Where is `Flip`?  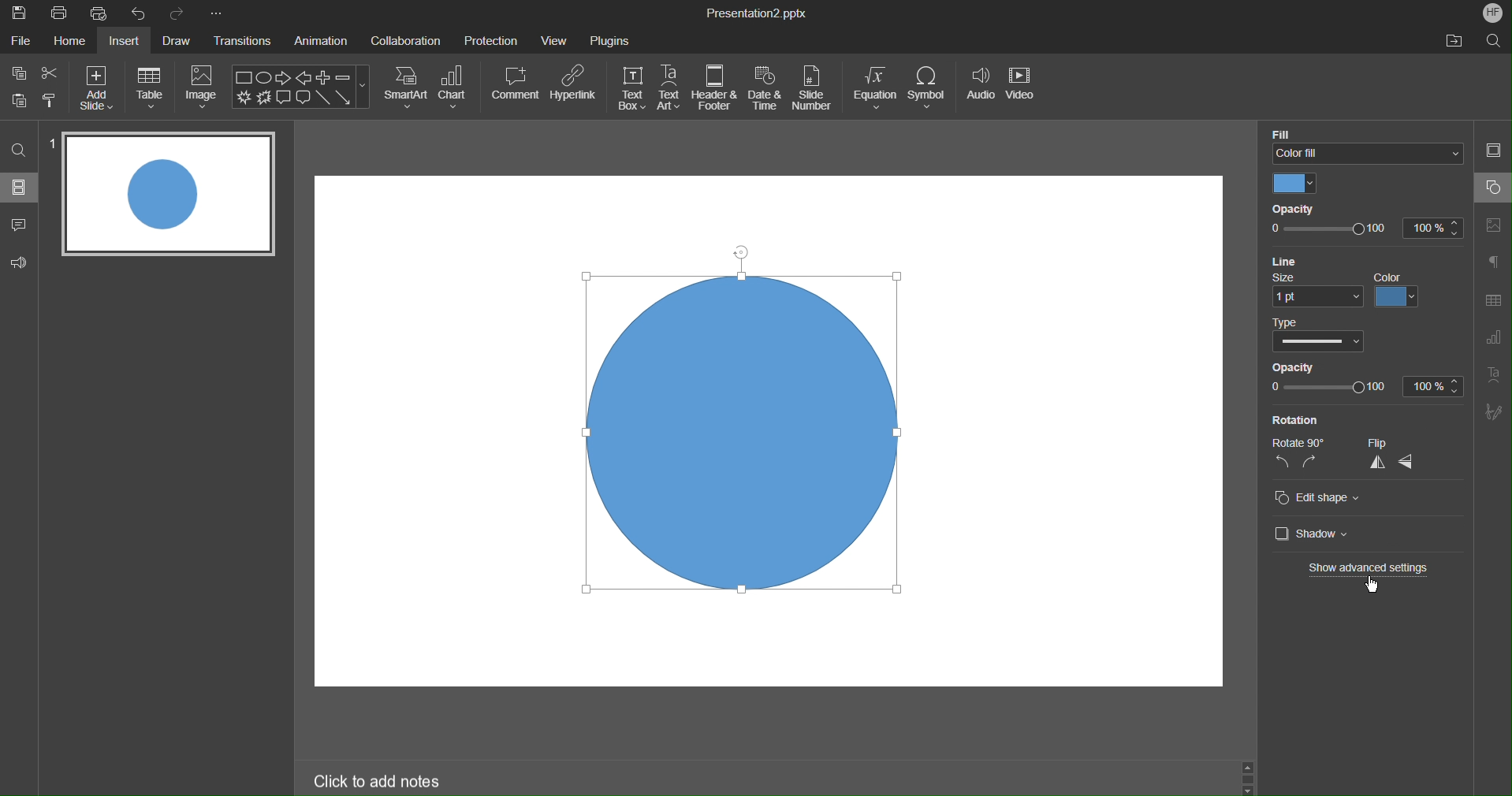 Flip is located at coordinates (1388, 444).